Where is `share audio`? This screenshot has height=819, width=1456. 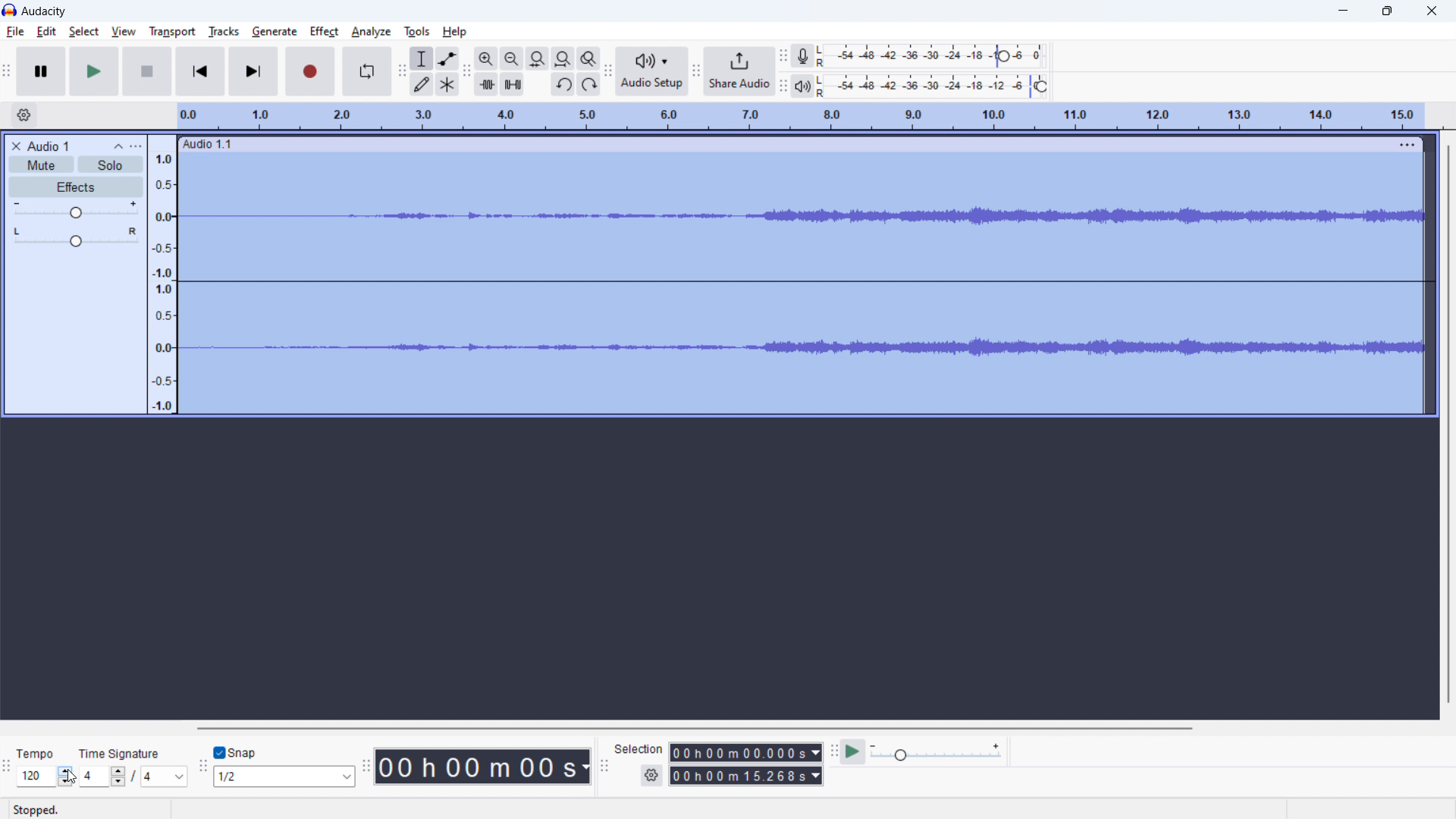 share audio is located at coordinates (739, 71).